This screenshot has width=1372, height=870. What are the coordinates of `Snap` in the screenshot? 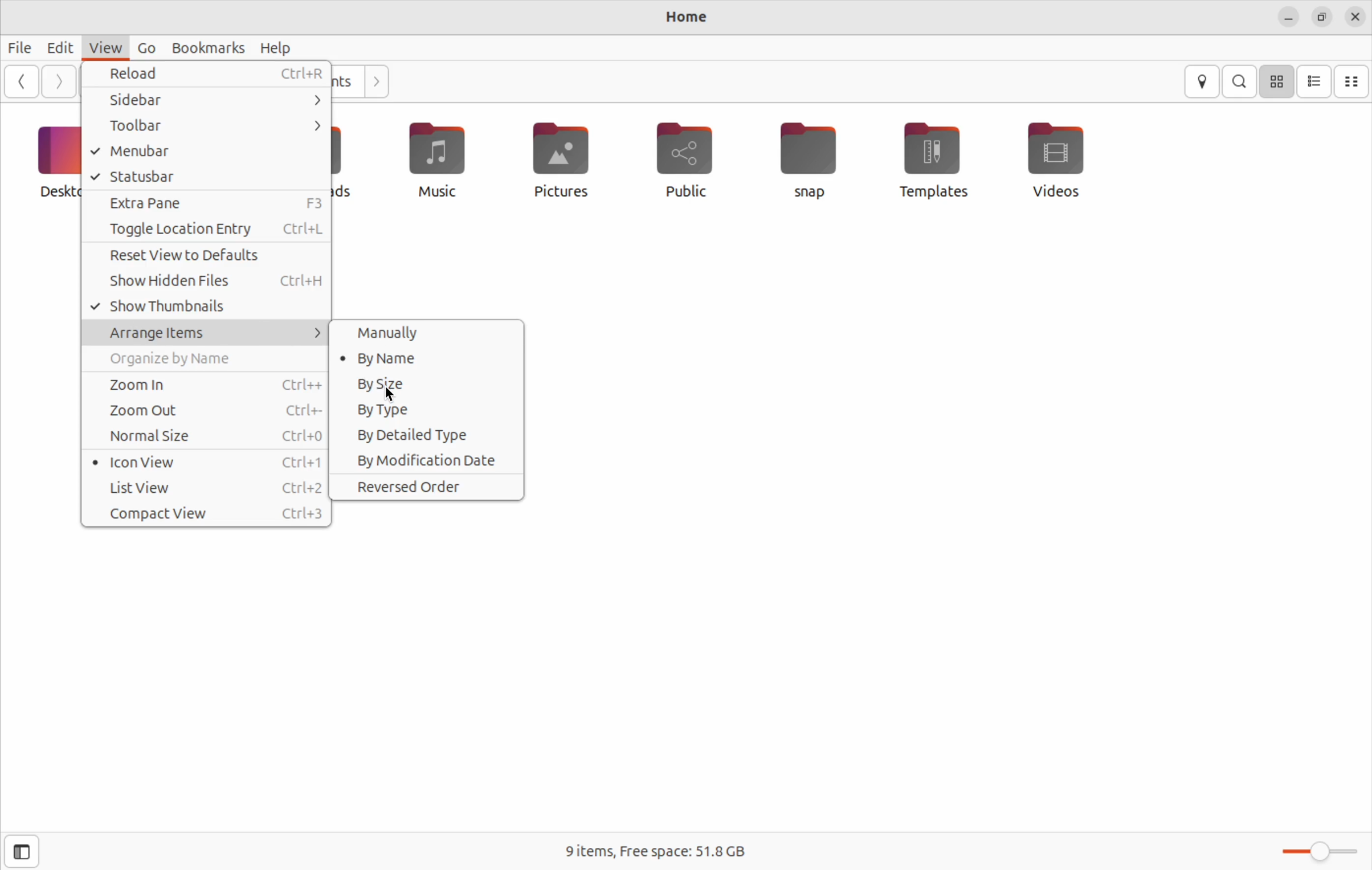 It's located at (814, 164).